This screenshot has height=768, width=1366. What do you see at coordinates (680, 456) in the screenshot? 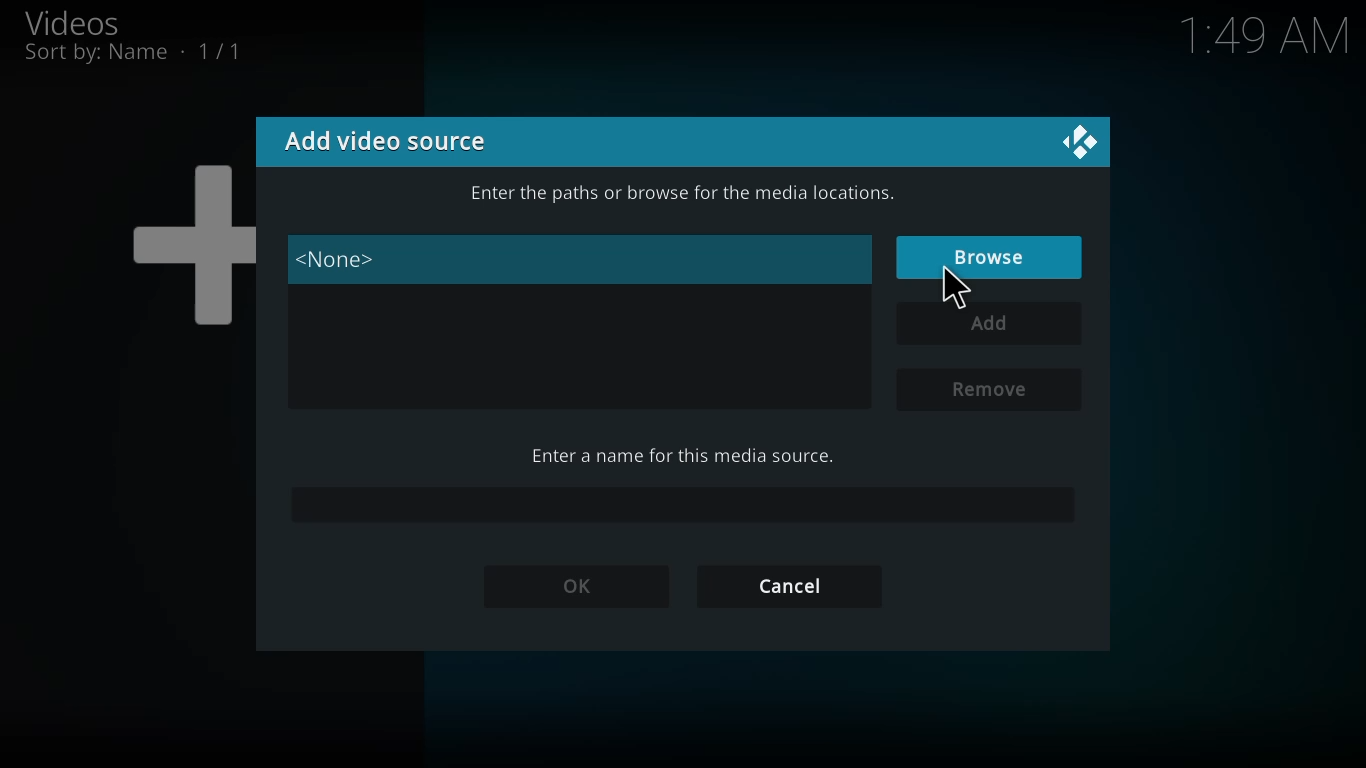
I see `enter name` at bounding box center [680, 456].